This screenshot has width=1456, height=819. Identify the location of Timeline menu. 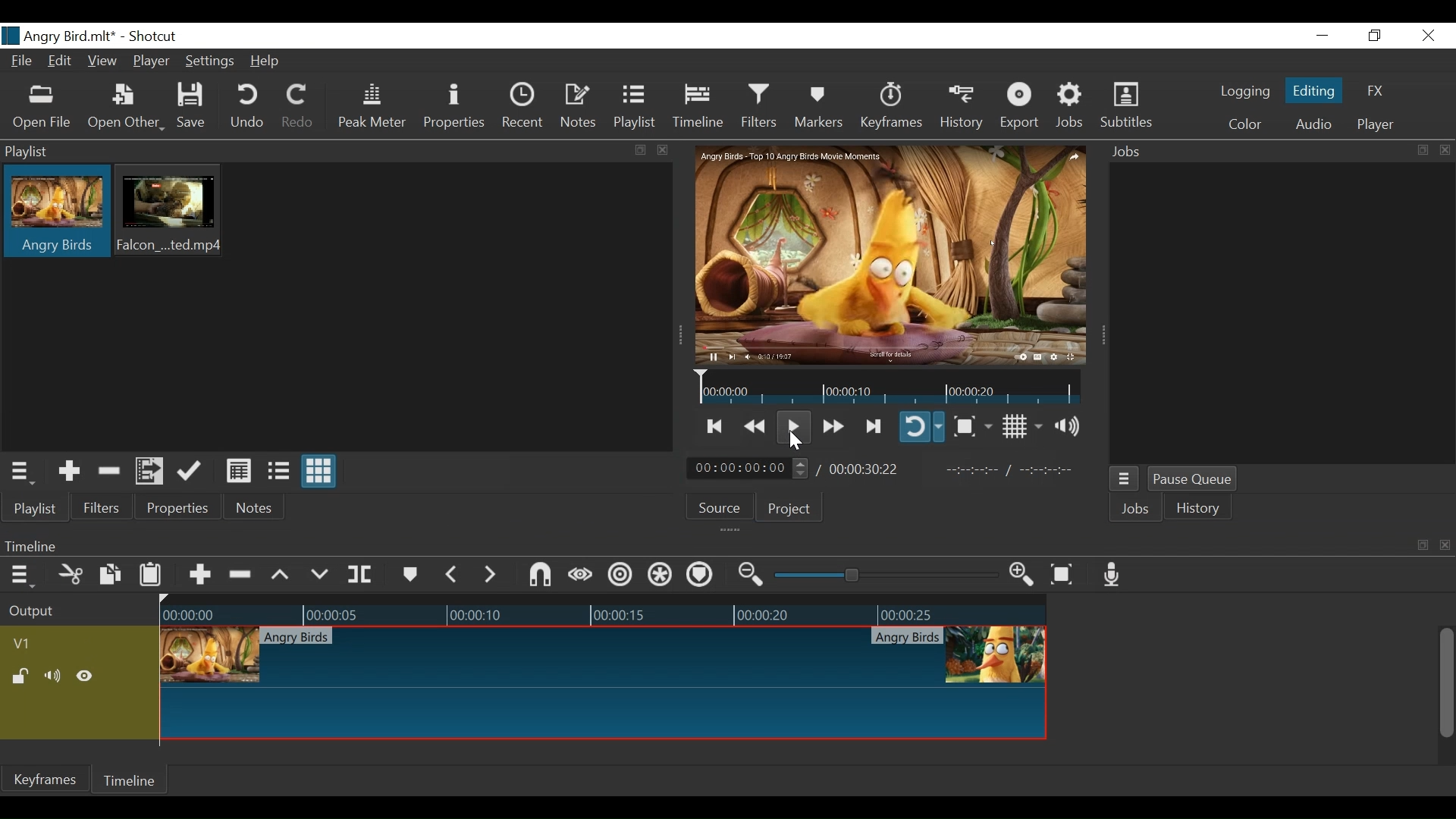
(20, 576).